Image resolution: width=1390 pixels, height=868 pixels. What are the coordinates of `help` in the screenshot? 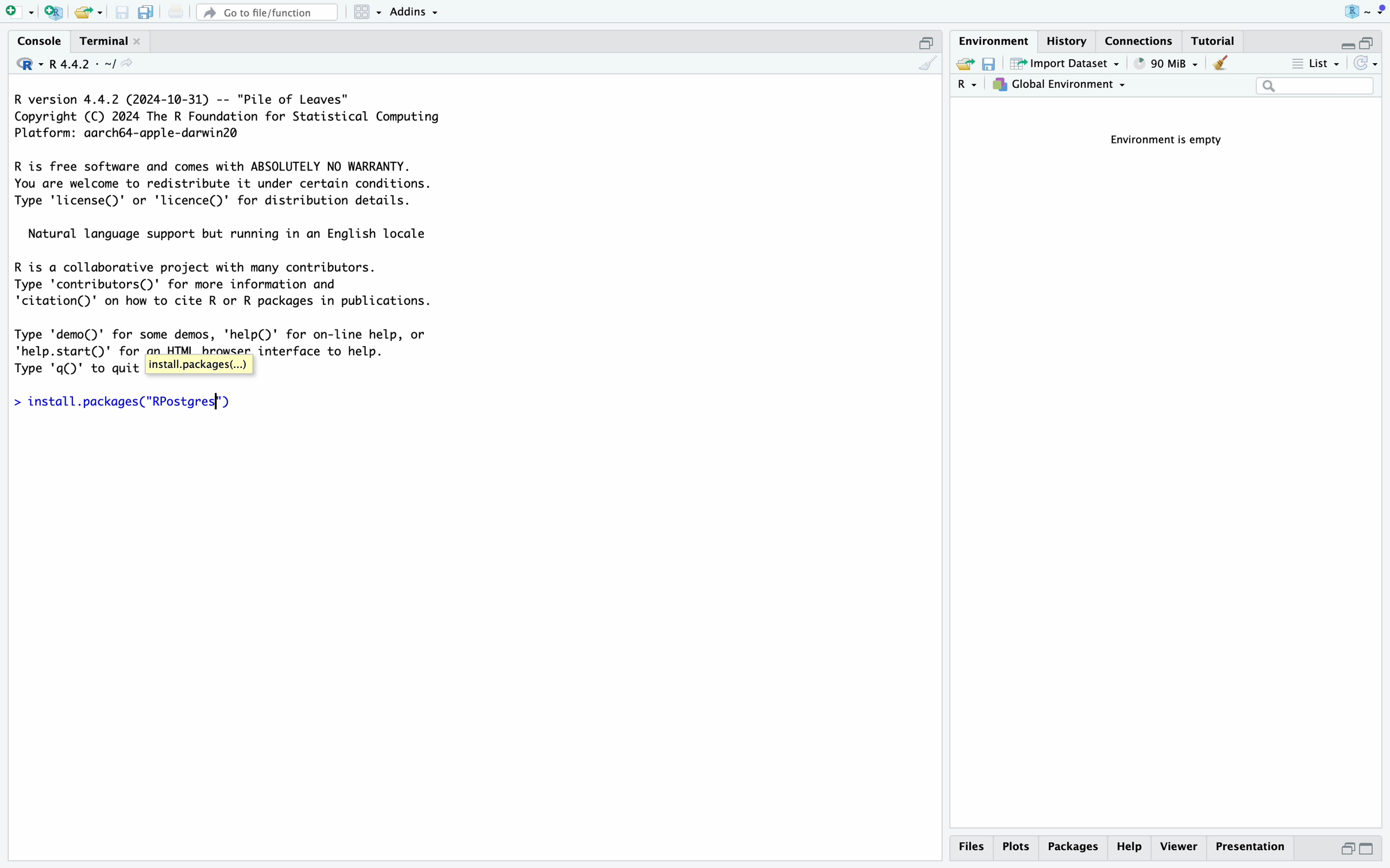 It's located at (1129, 848).